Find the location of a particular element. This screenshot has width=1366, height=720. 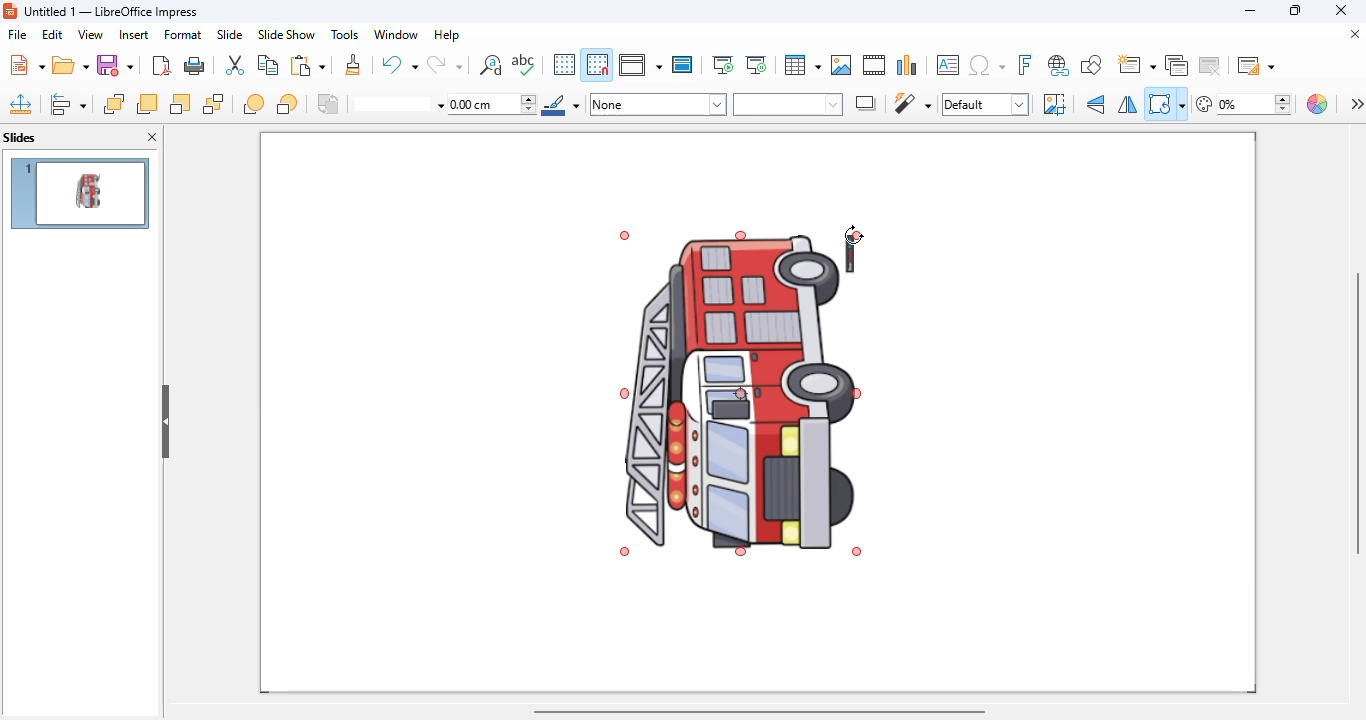

undo is located at coordinates (398, 63).